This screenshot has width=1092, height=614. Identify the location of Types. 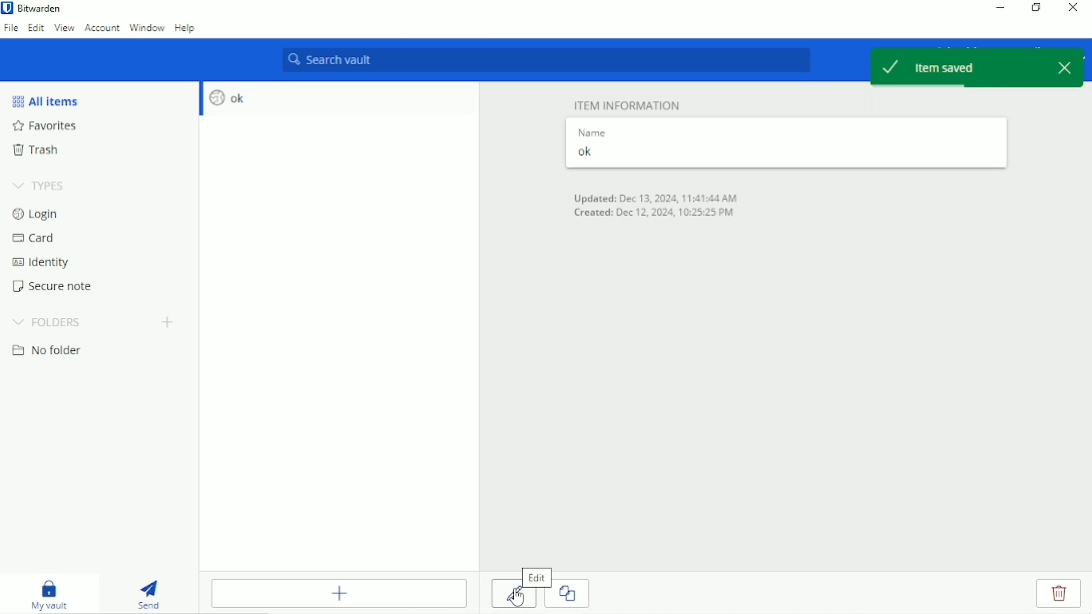
(41, 183).